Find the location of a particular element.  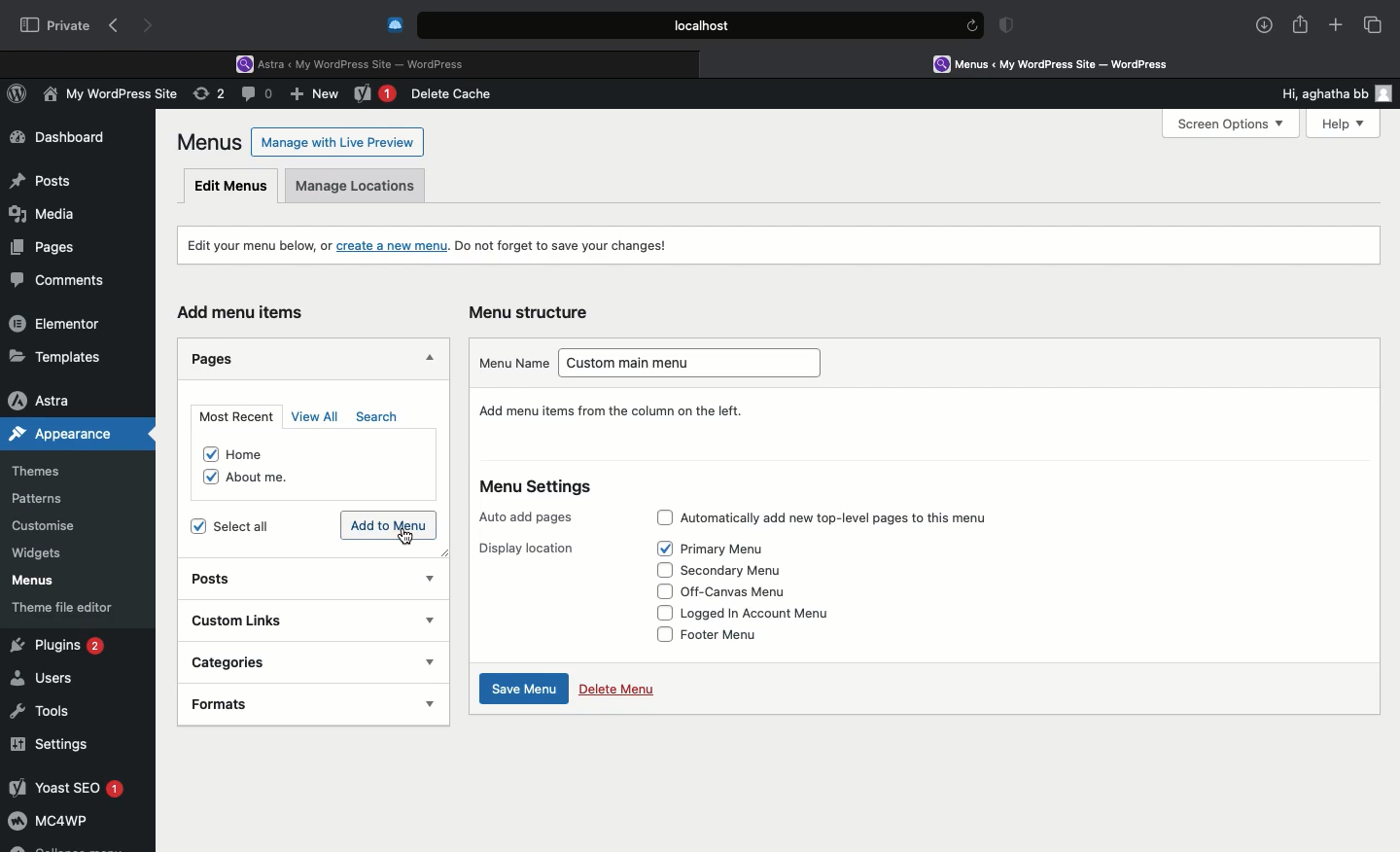

Comment (0) is located at coordinates (260, 93).